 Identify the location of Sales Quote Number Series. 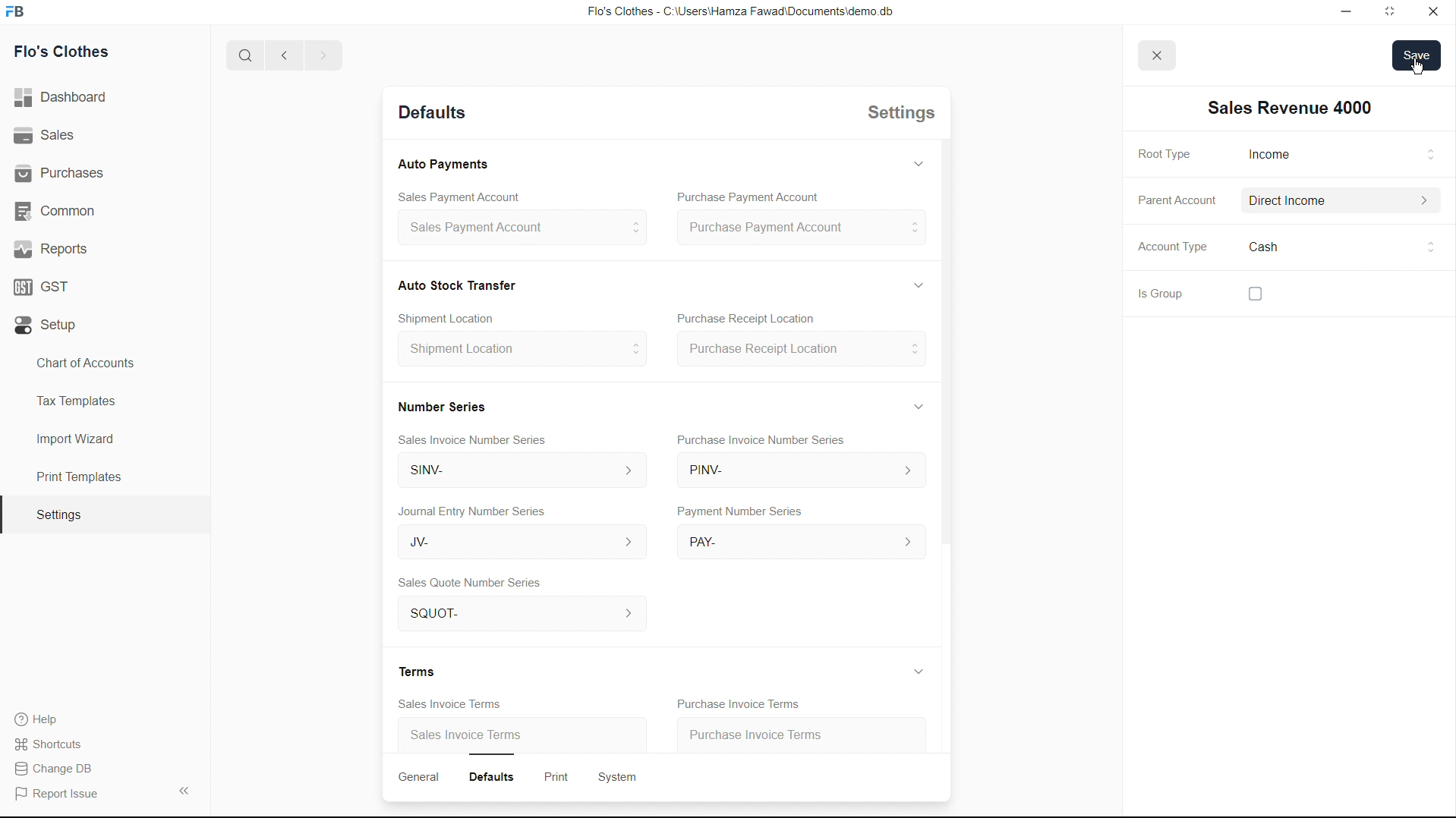
(470, 584).